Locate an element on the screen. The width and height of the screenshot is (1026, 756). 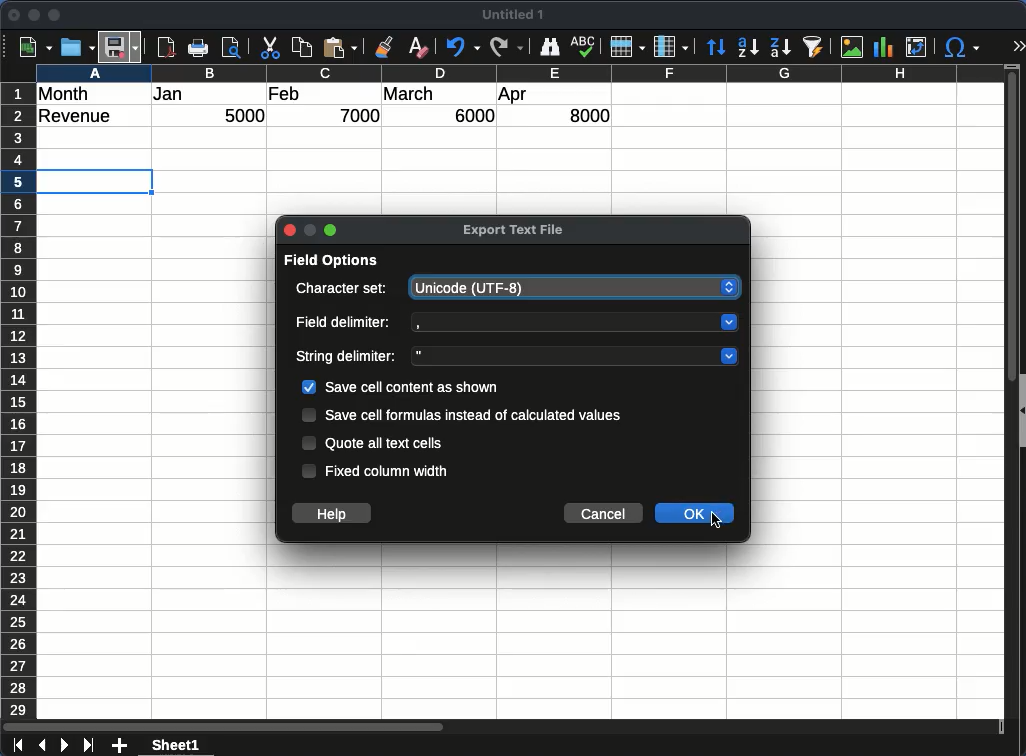
minimize is located at coordinates (35, 15).